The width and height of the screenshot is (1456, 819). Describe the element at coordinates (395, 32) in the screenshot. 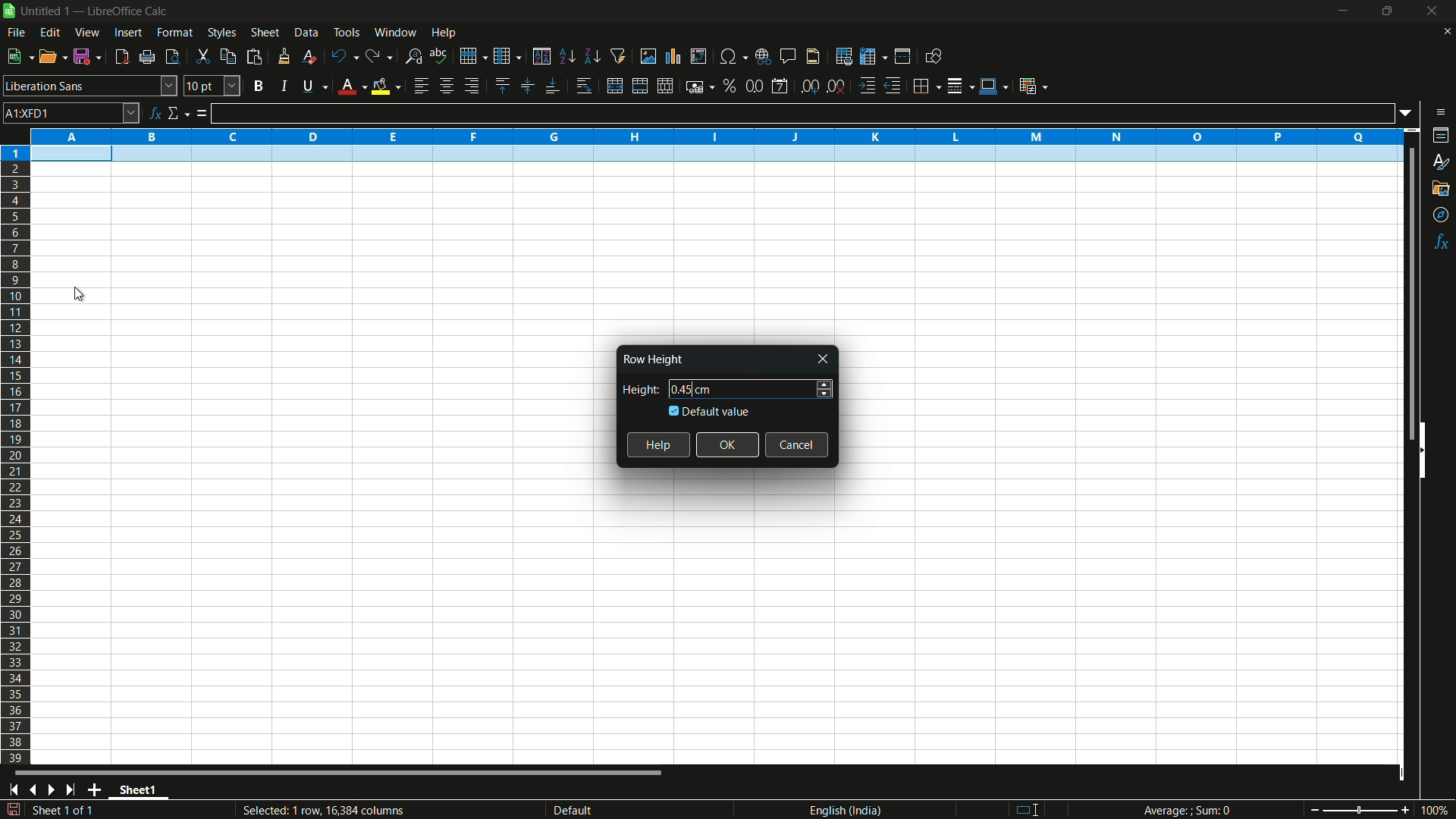

I see `window menu` at that location.